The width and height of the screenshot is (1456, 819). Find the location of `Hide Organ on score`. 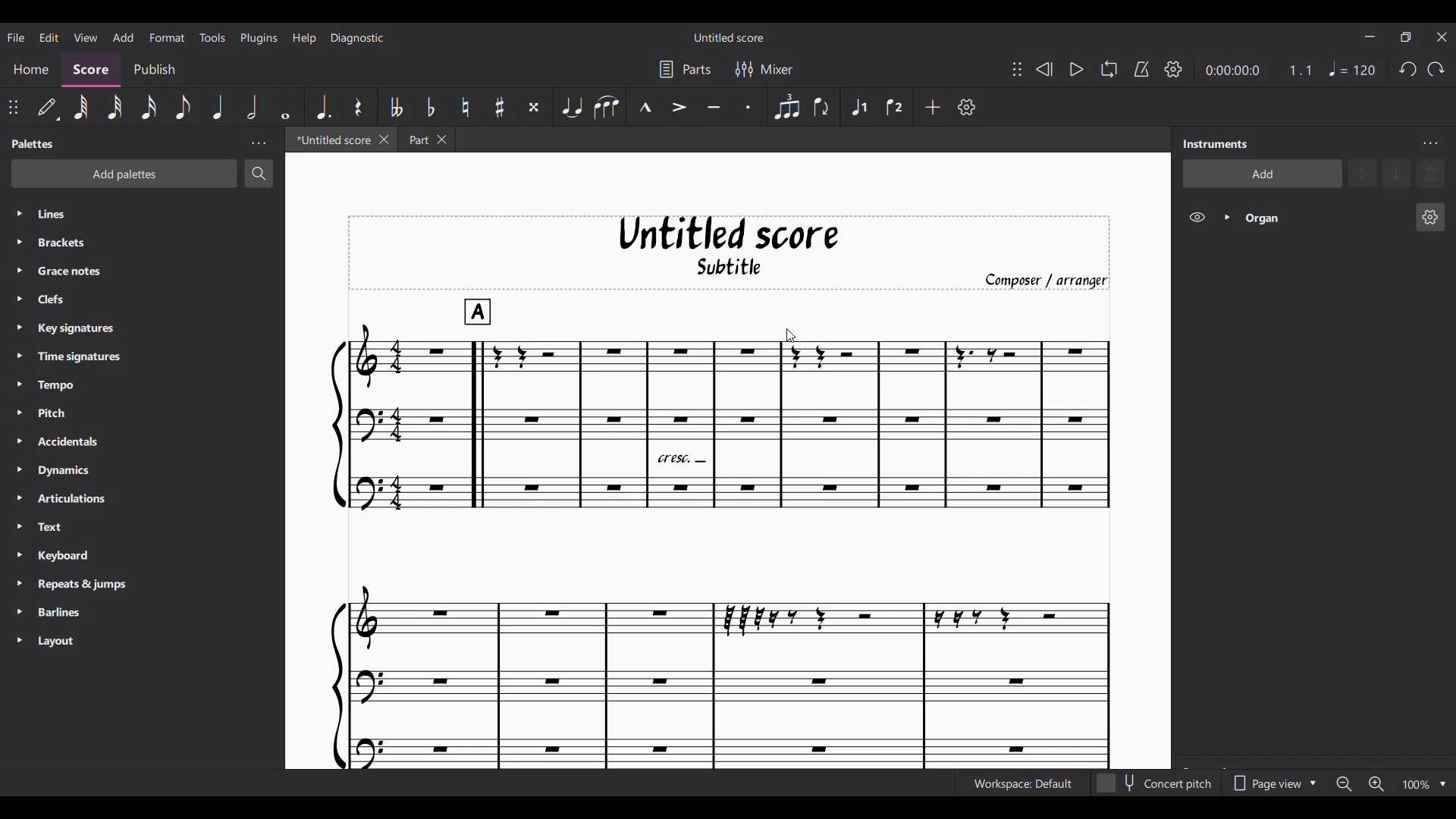

Hide Organ on score is located at coordinates (1197, 217).